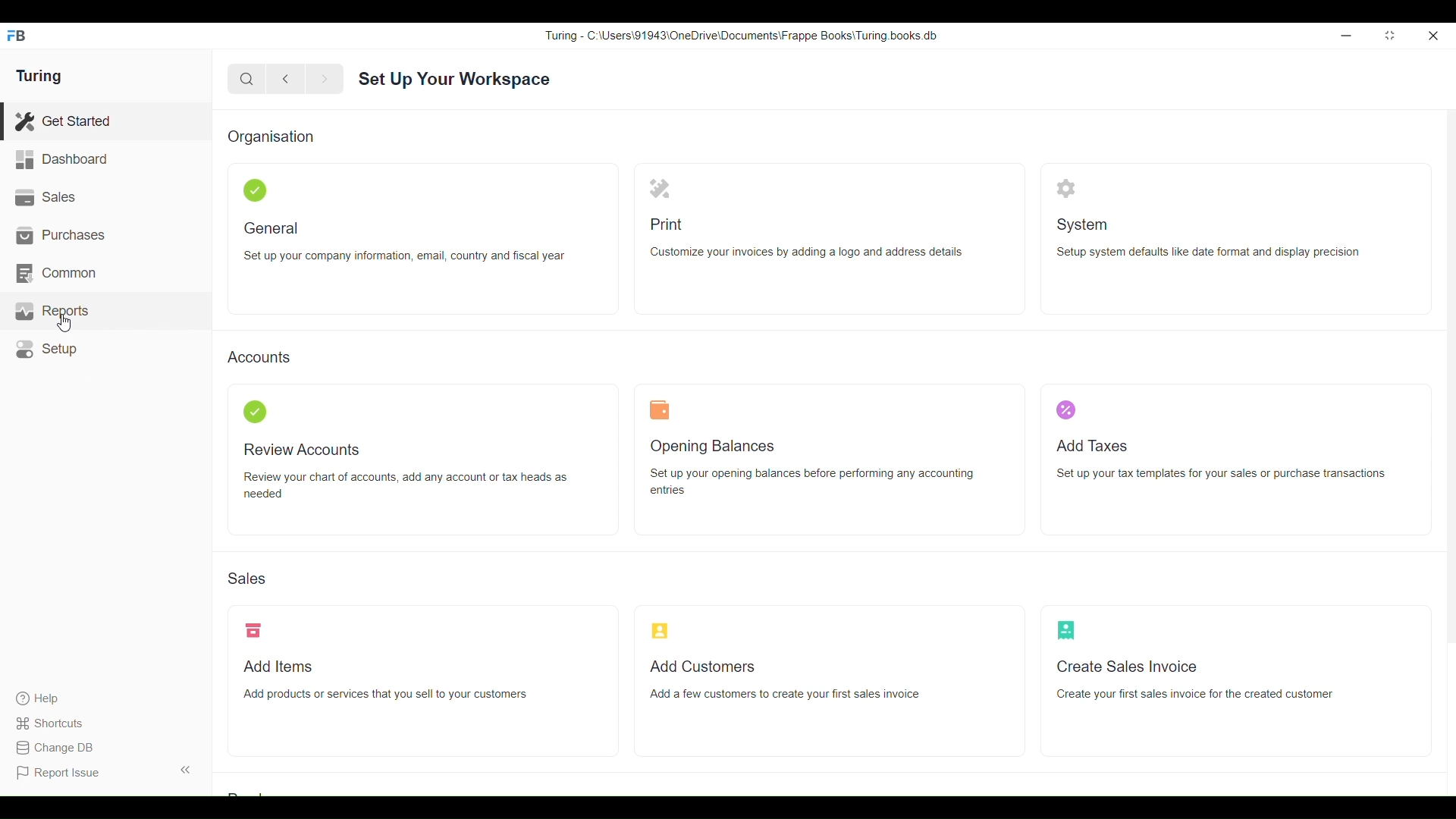  What do you see at coordinates (1221, 460) in the screenshot?
I see `Add Taxes Set up your tax templates for your sales or purchase transactions` at bounding box center [1221, 460].